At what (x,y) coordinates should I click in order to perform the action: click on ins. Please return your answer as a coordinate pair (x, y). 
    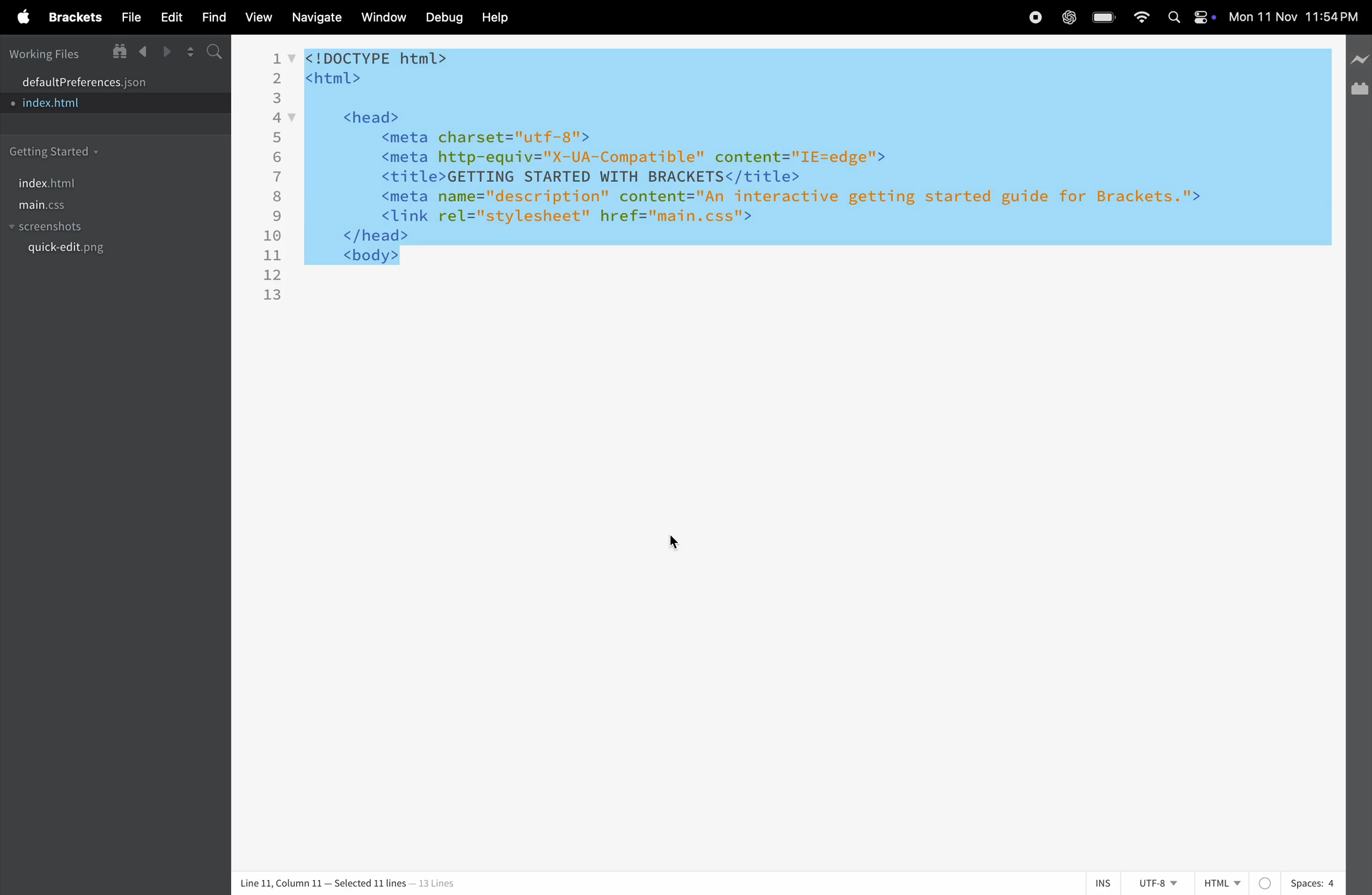
    Looking at the image, I should click on (1103, 882).